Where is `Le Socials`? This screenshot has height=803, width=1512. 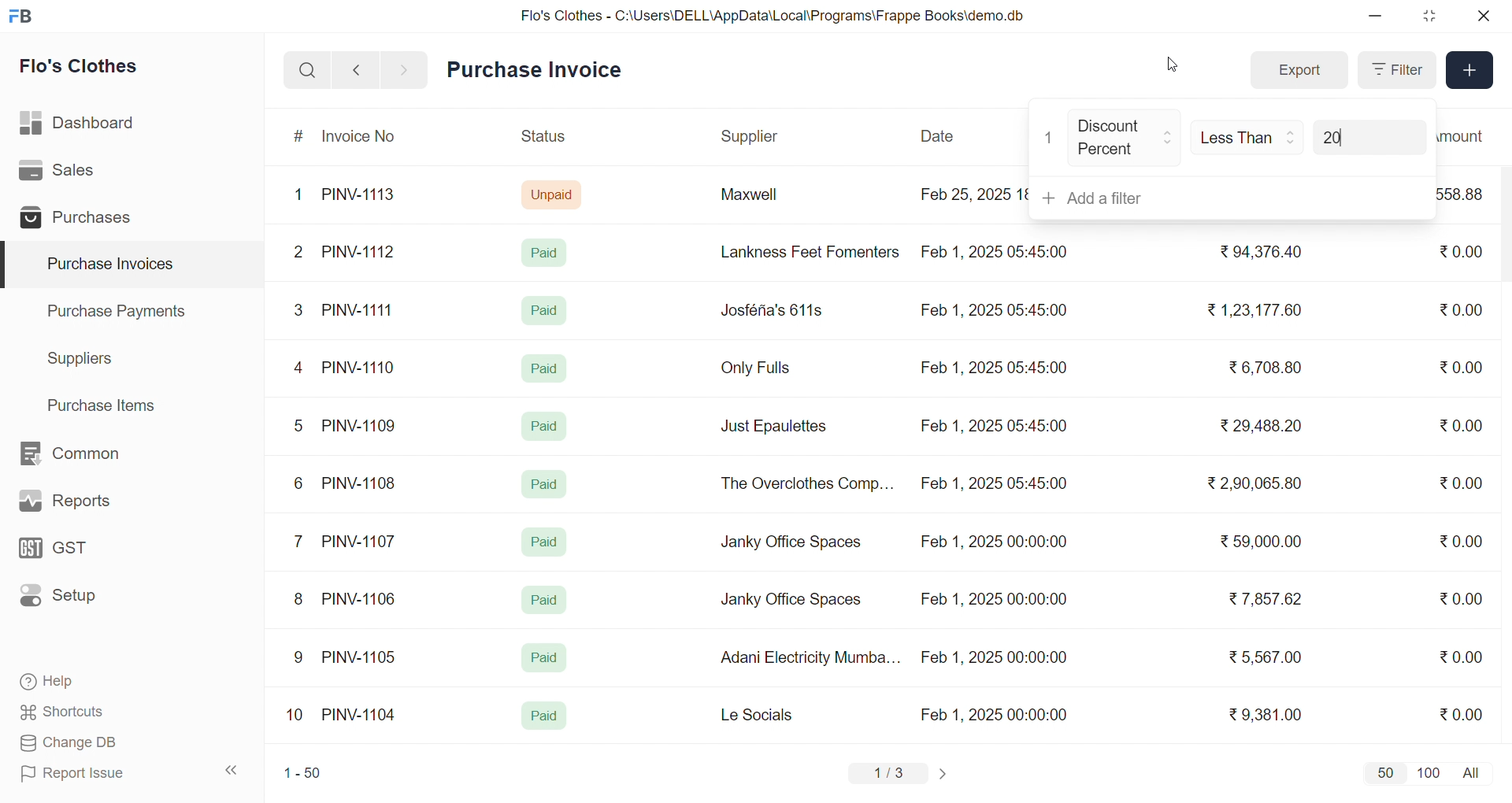 Le Socials is located at coordinates (770, 714).